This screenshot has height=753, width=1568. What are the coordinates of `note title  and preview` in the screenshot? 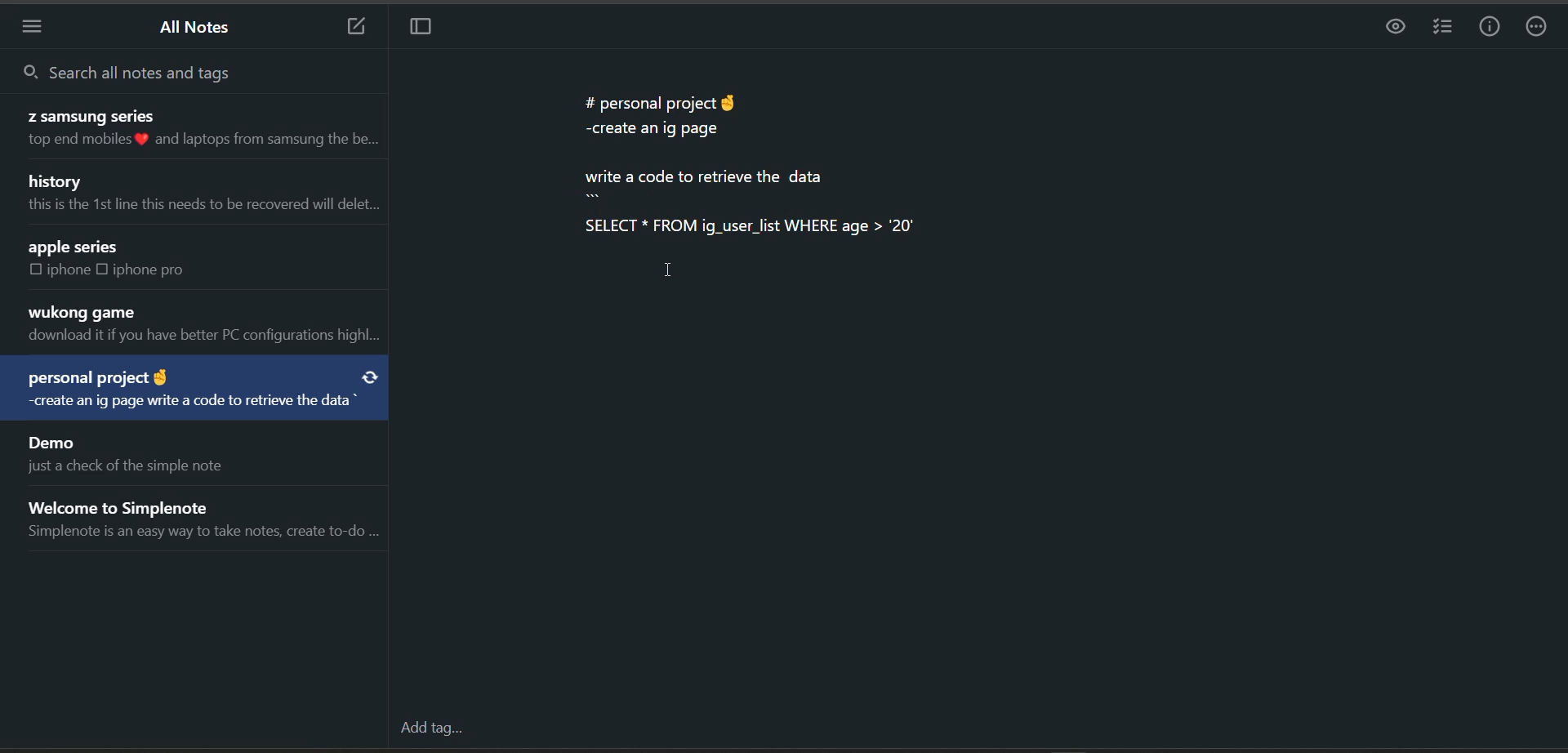 It's located at (201, 195).